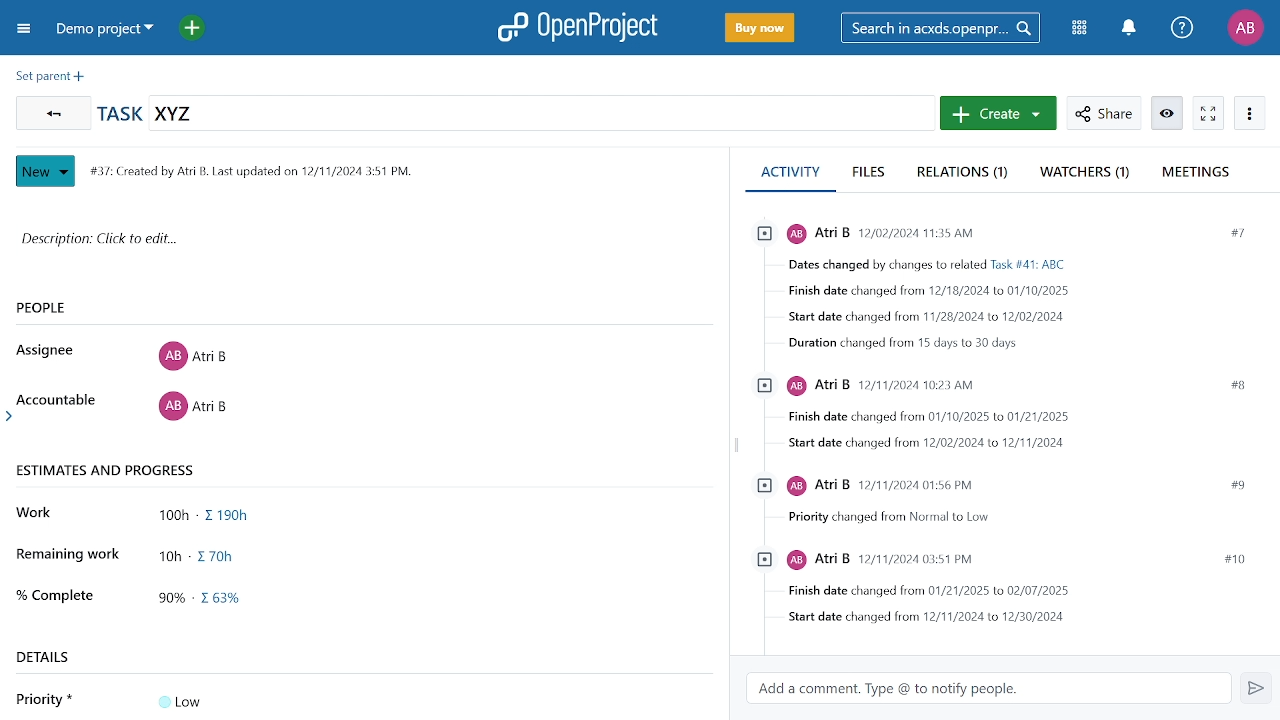 The height and width of the screenshot is (720, 1280). What do you see at coordinates (106, 31) in the screenshot?
I see `Projects` at bounding box center [106, 31].